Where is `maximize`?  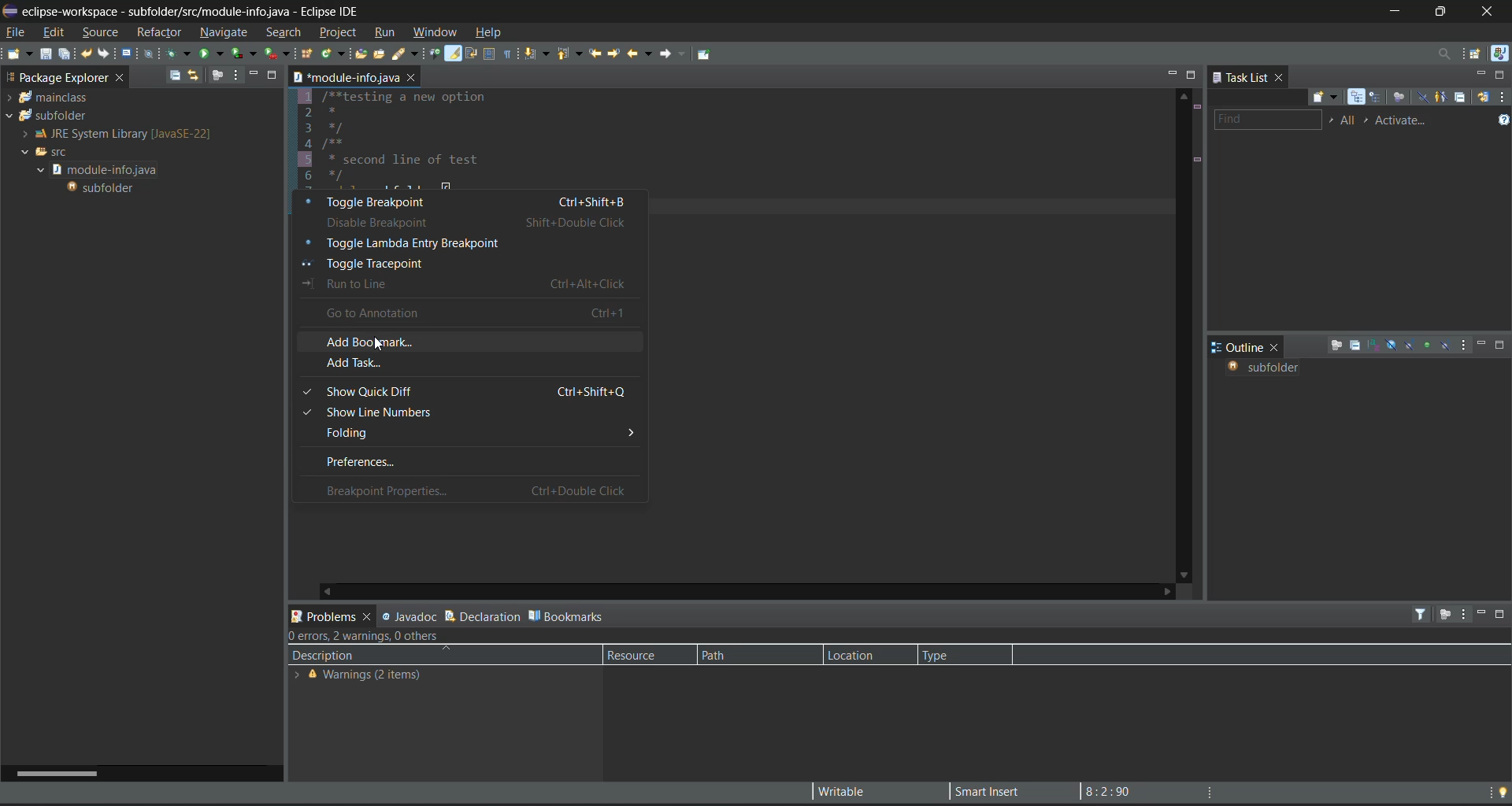
maximize is located at coordinates (1191, 75).